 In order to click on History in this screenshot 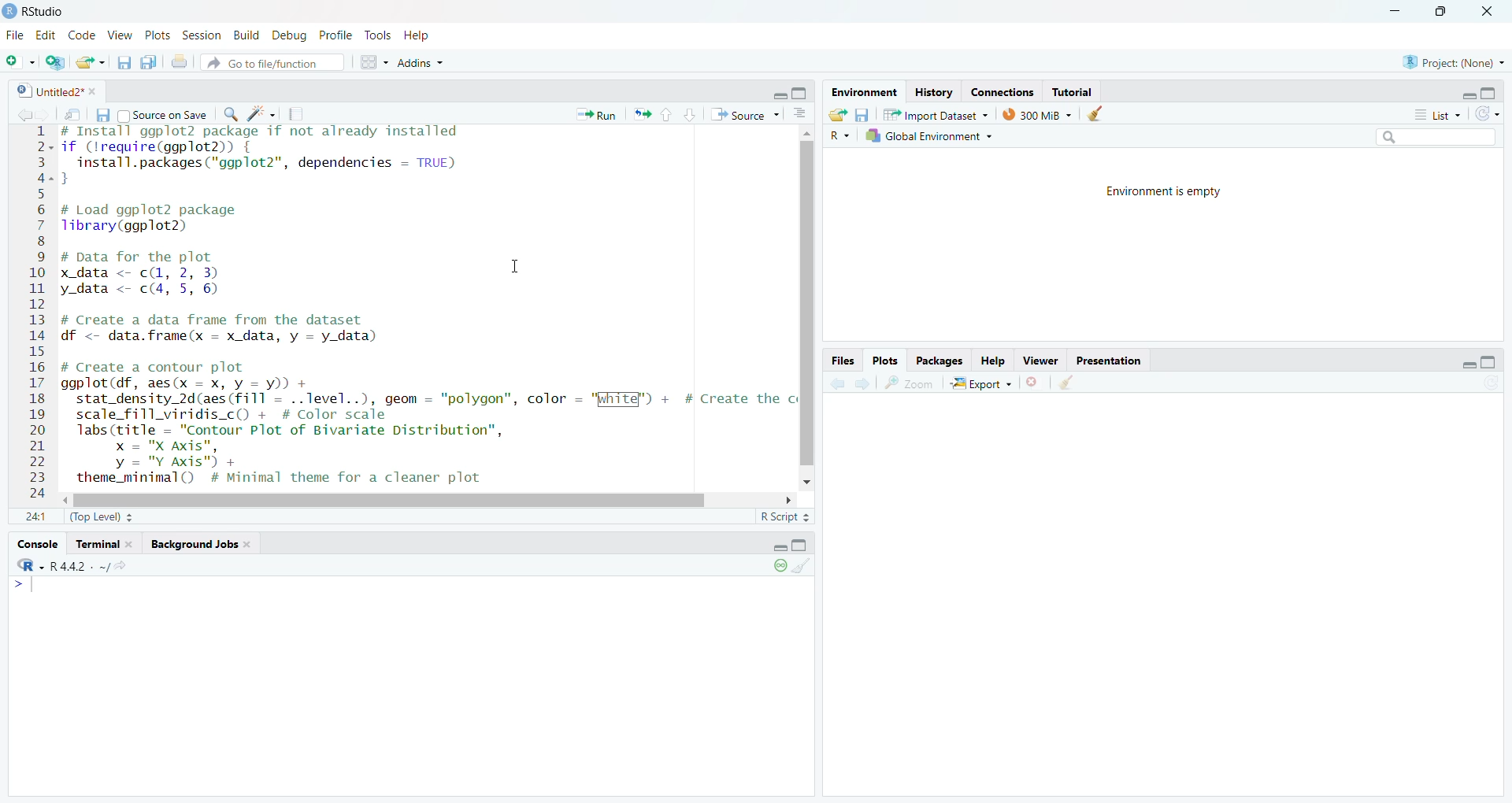, I will do `click(934, 91)`.